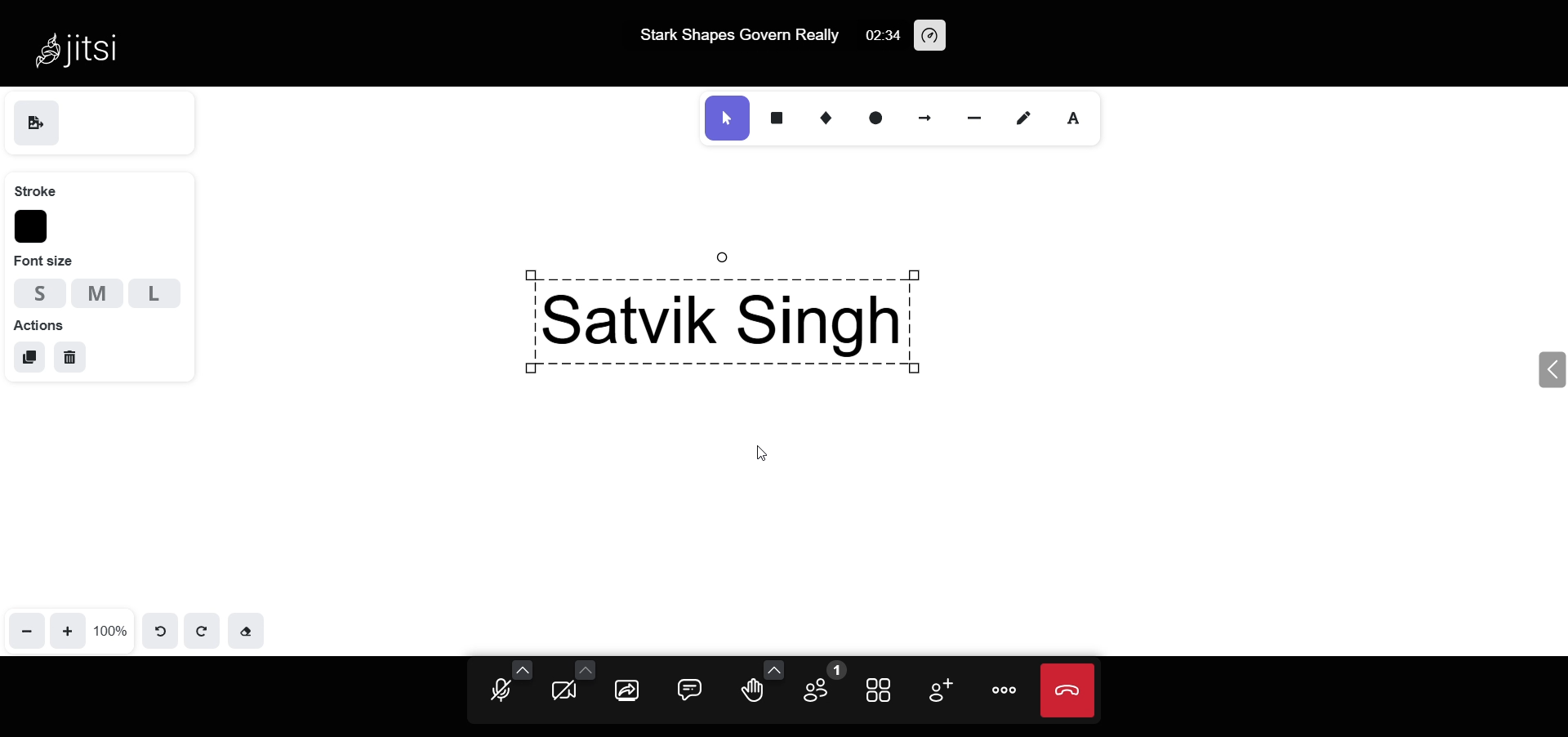 The image size is (1568, 737). I want to click on zoom in, so click(70, 629).